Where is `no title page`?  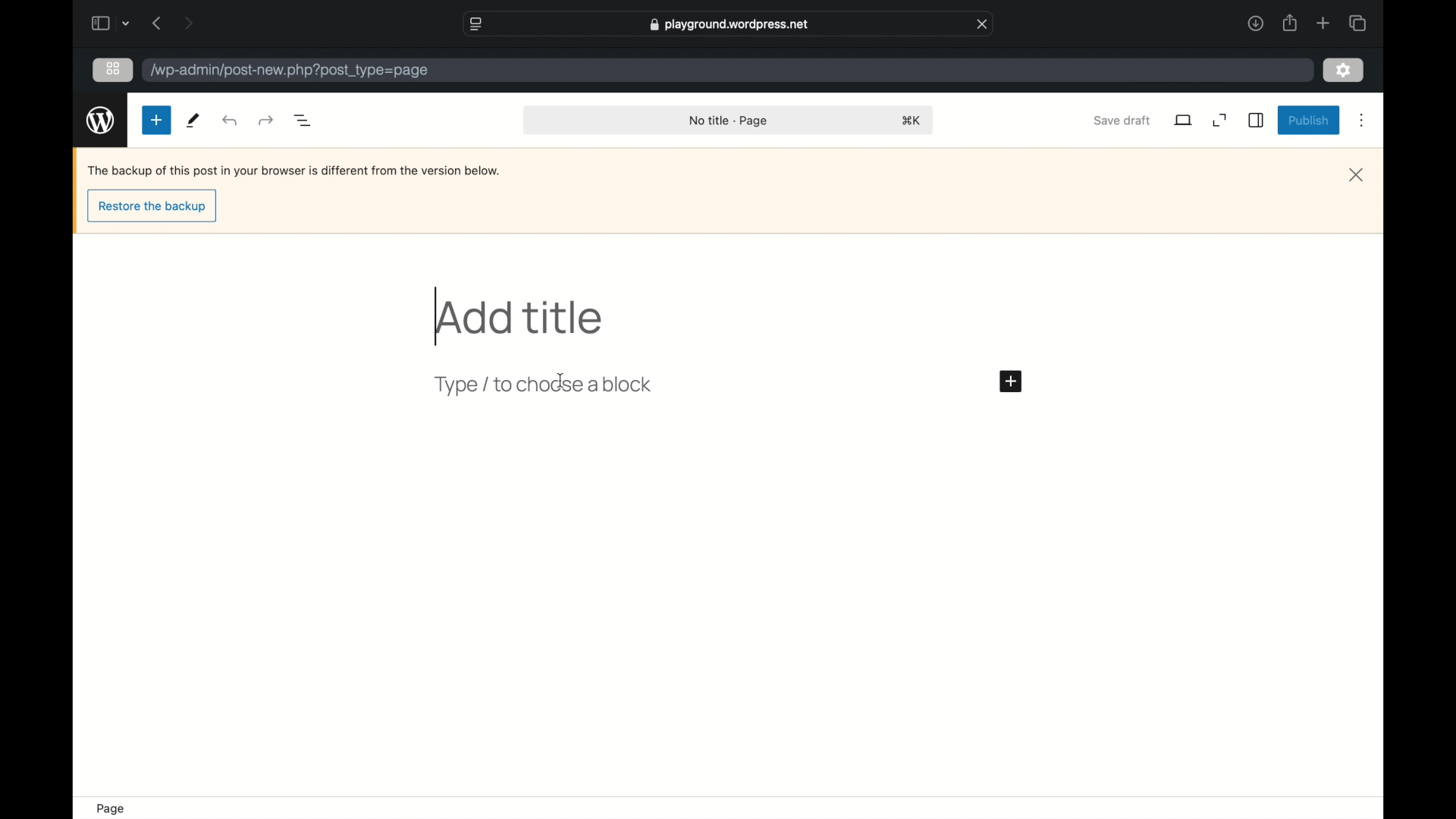
no title page is located at coordinates (730, 120).